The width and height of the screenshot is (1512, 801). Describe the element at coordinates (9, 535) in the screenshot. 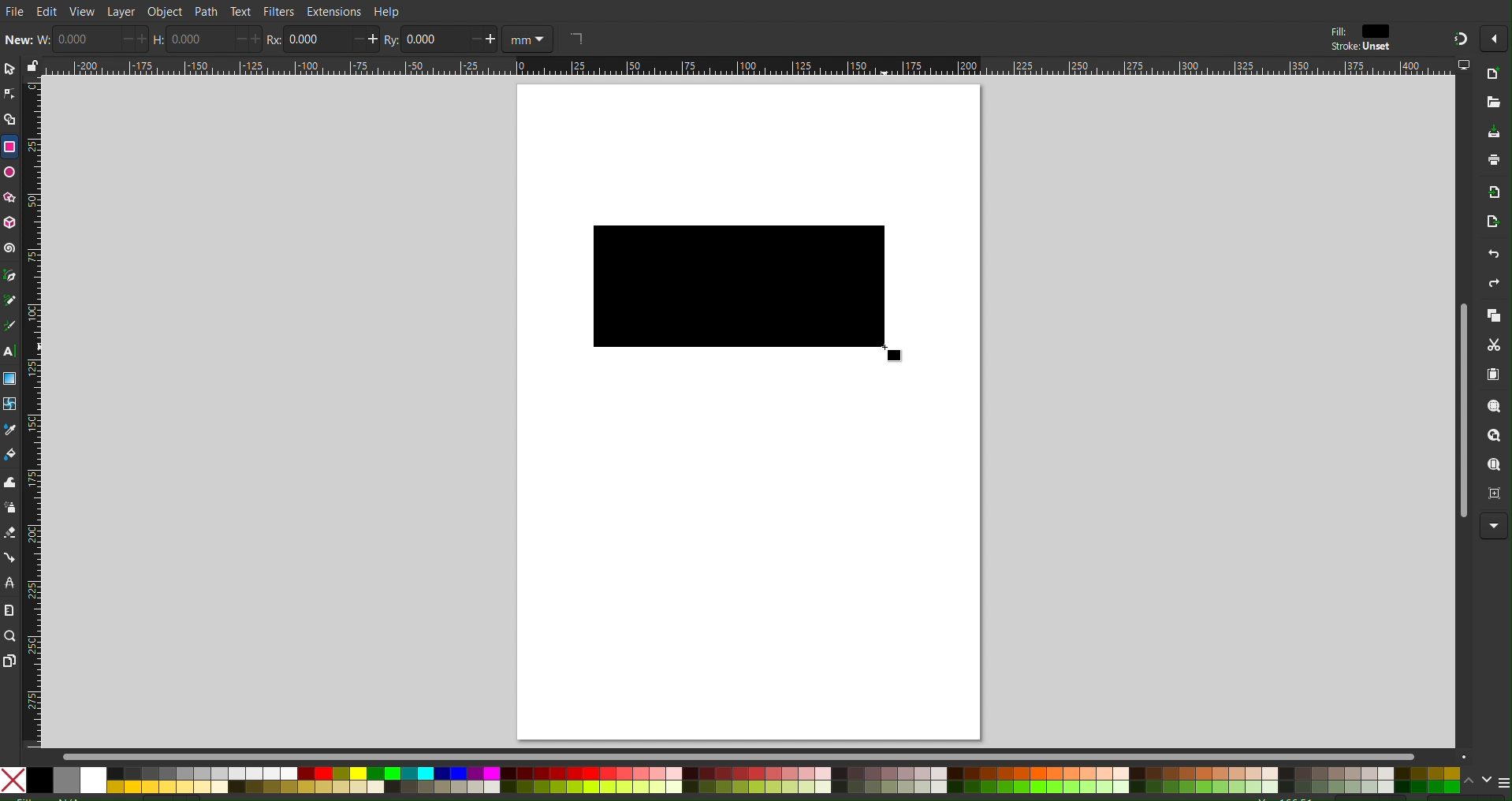

I see `Erase Tool` at that location.